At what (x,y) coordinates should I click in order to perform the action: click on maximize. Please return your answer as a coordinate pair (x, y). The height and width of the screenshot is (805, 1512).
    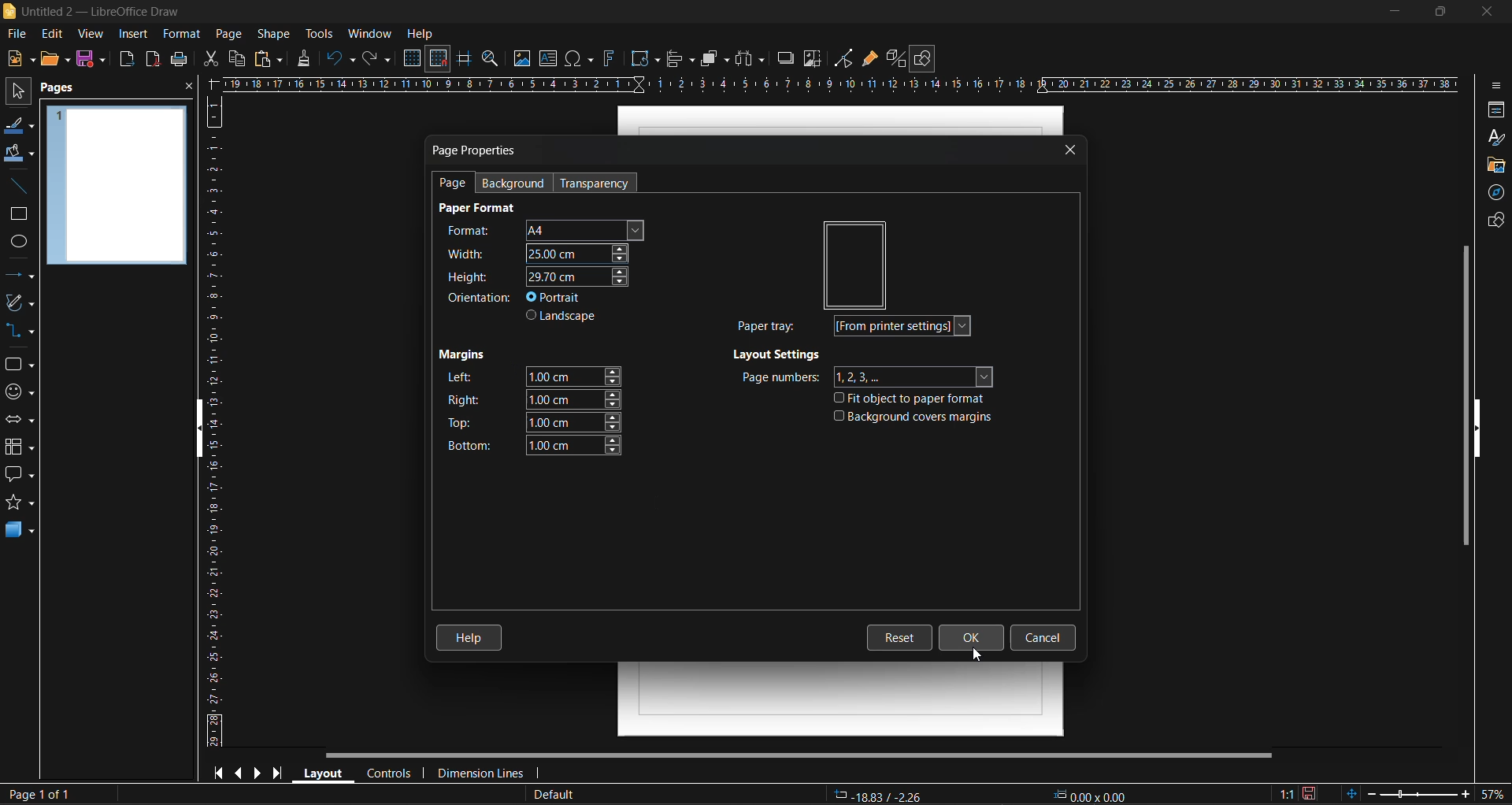
    Looking at the image, I should click on (1436, 13).